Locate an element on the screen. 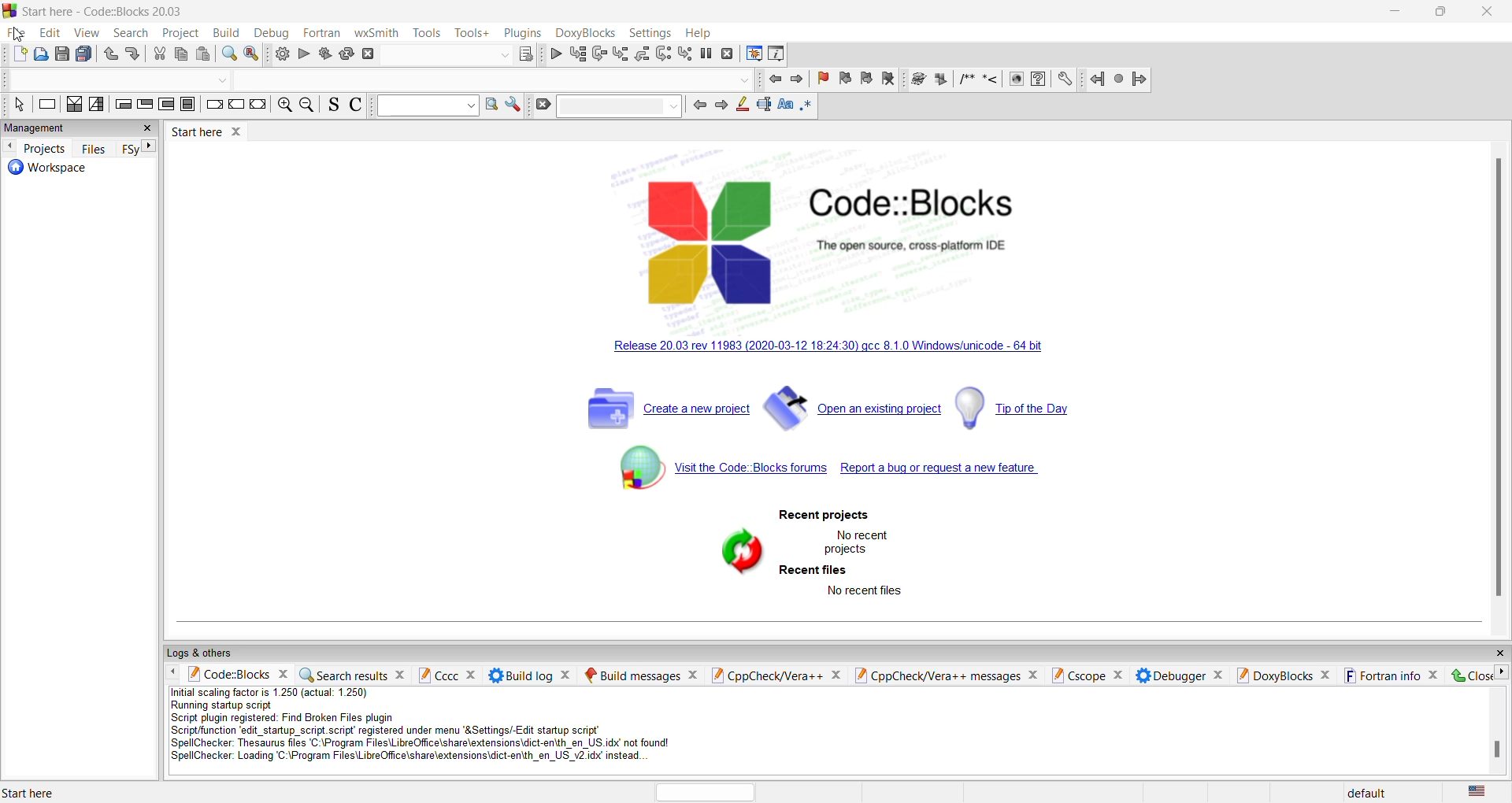 This screenshot has height=803, width=1512. logs and others is located at coordinates (207, 653).